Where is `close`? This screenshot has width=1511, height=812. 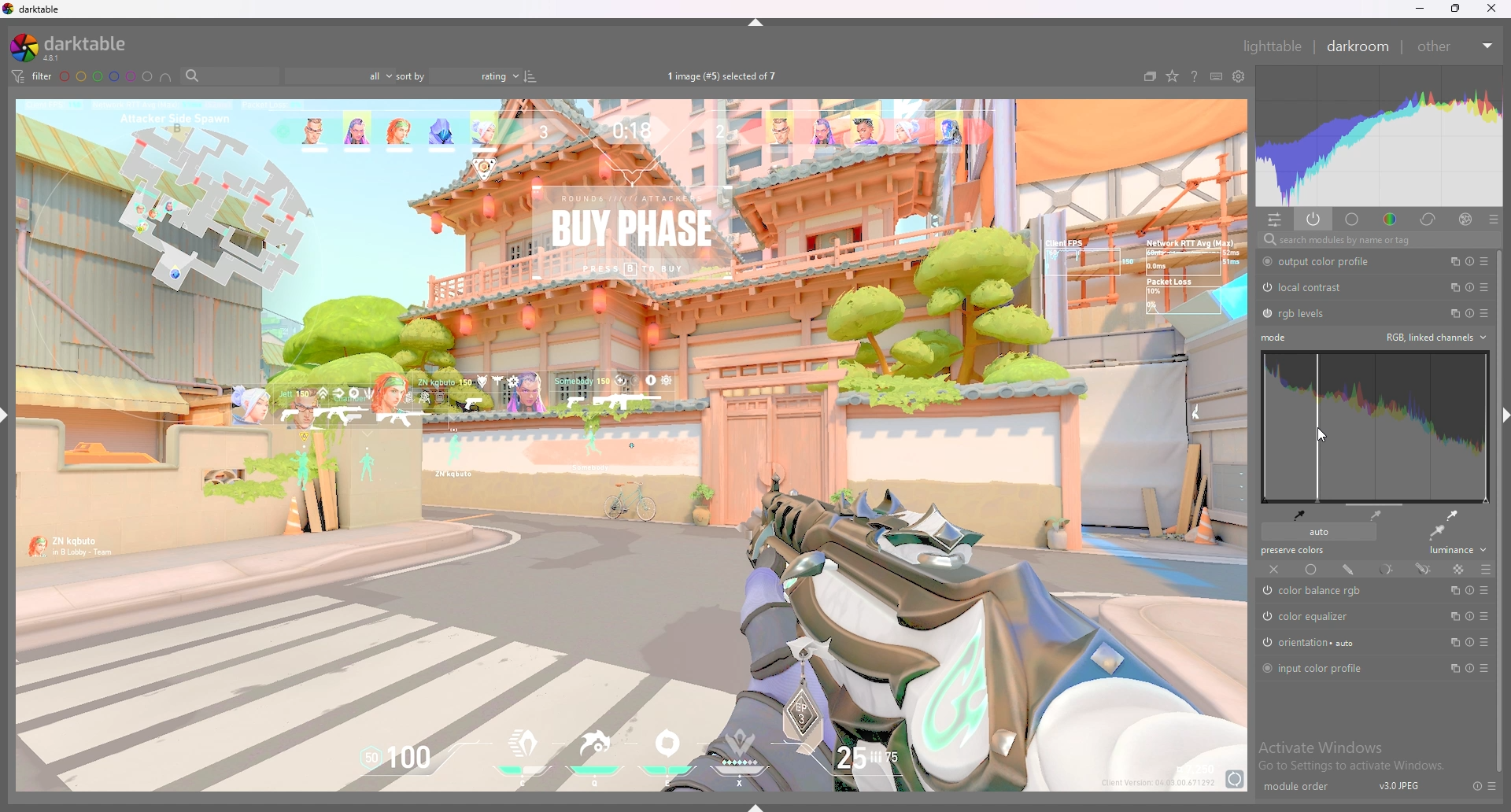 close is located at coordinates (1492, 9).